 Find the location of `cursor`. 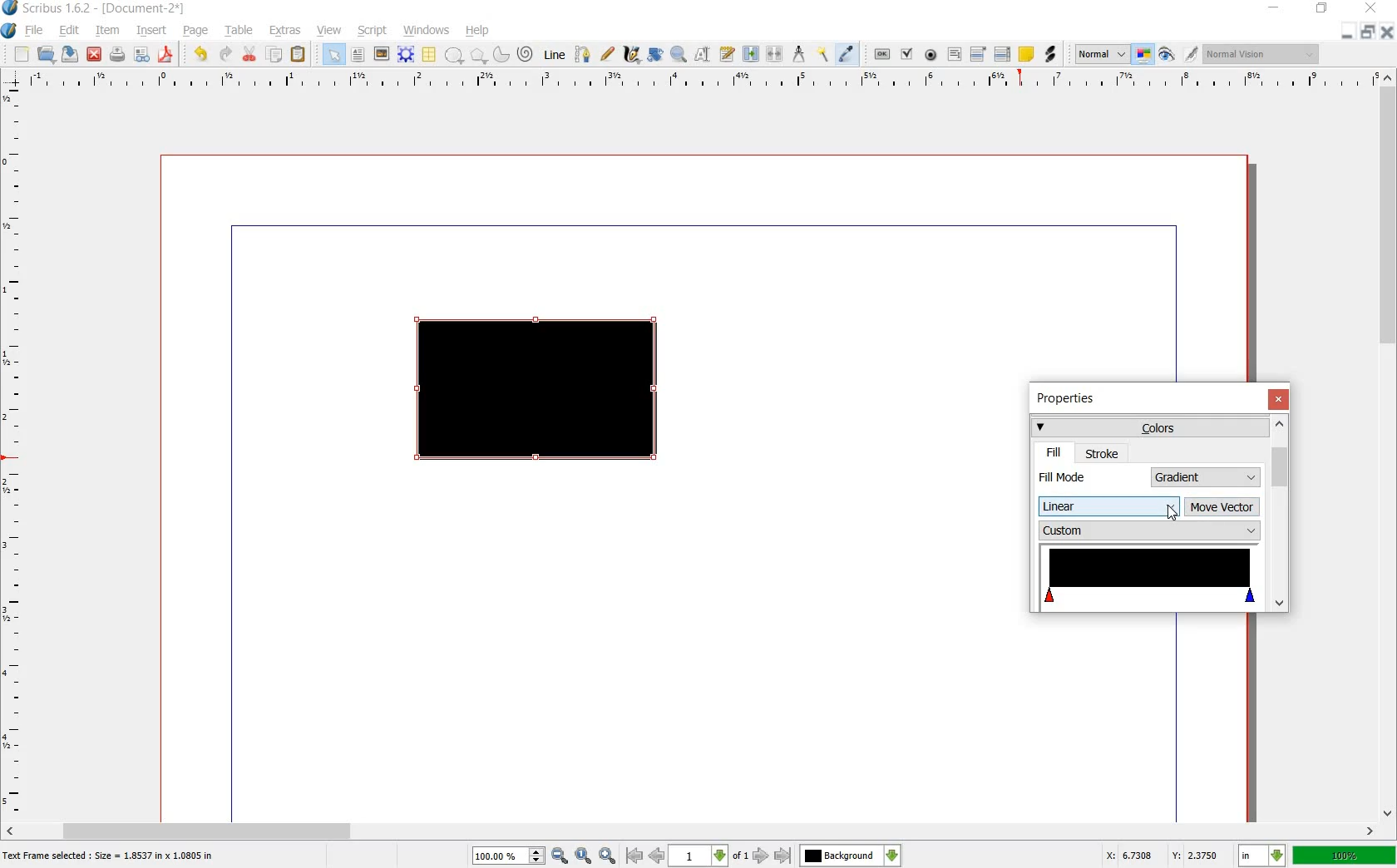

cursor is located at coordinates (1172, 515).